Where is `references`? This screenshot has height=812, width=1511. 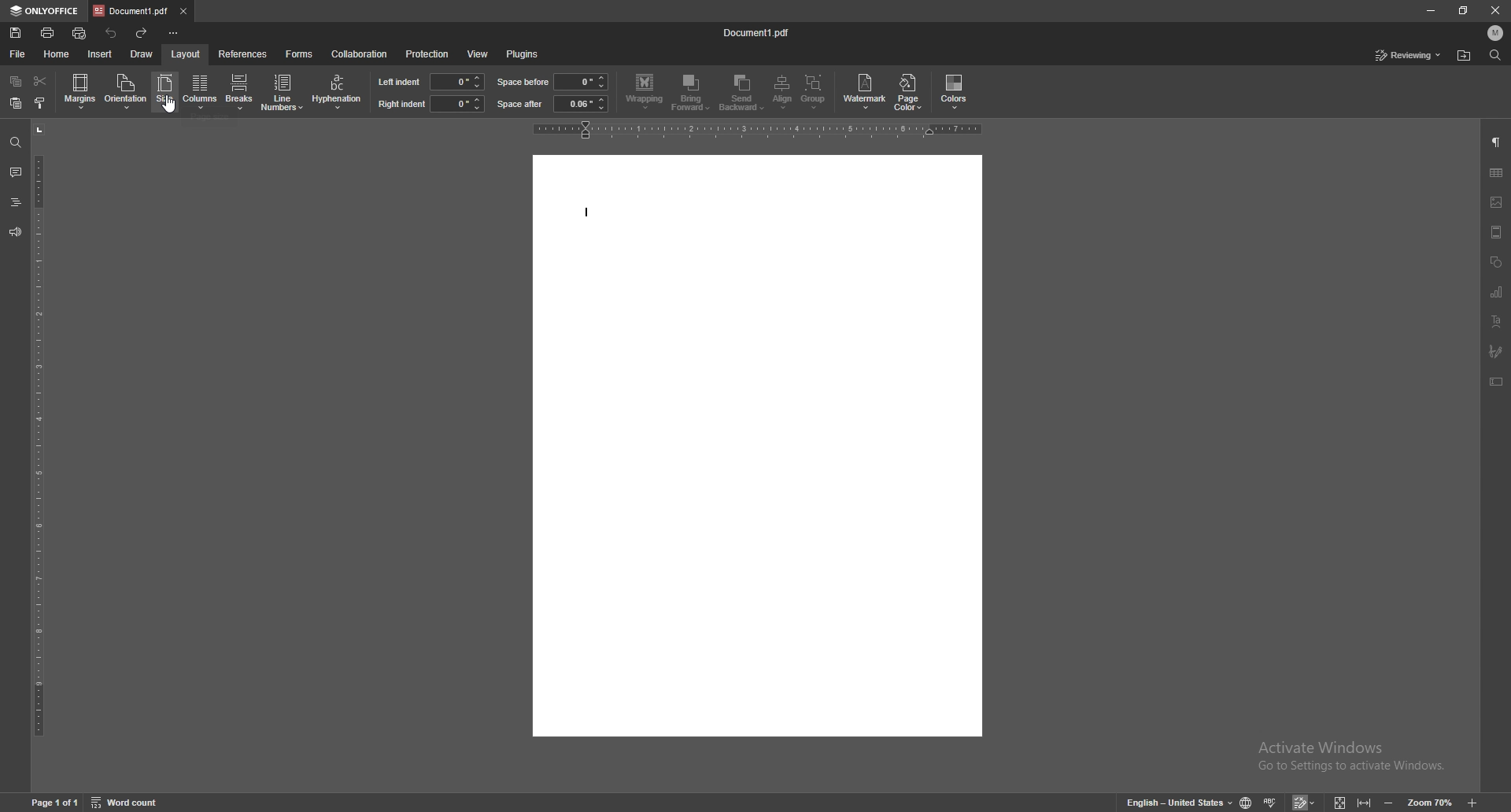
references is located at coordinates (243, 53).